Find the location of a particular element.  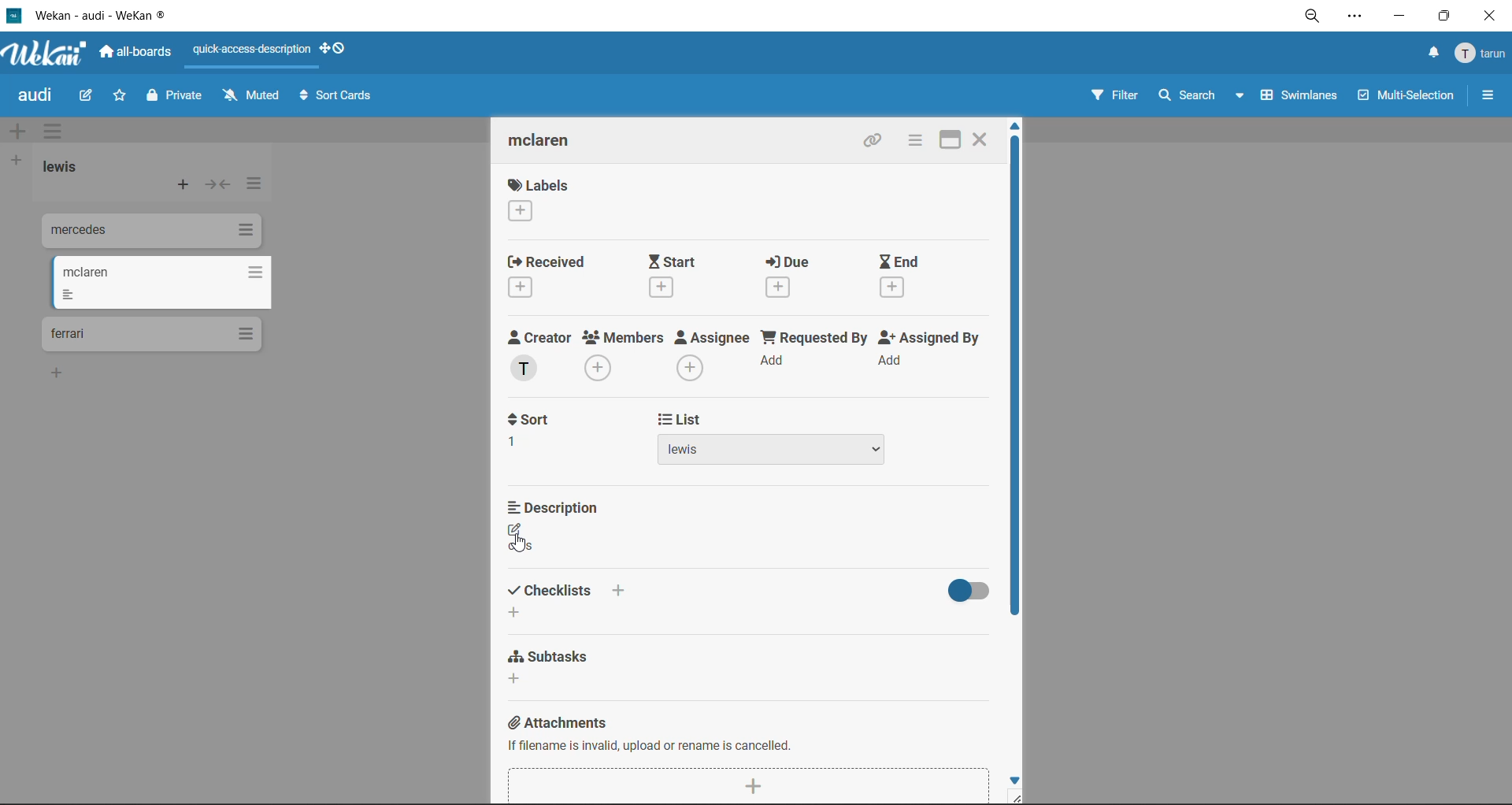

swimlanes is located at coordinates (1294, 99).